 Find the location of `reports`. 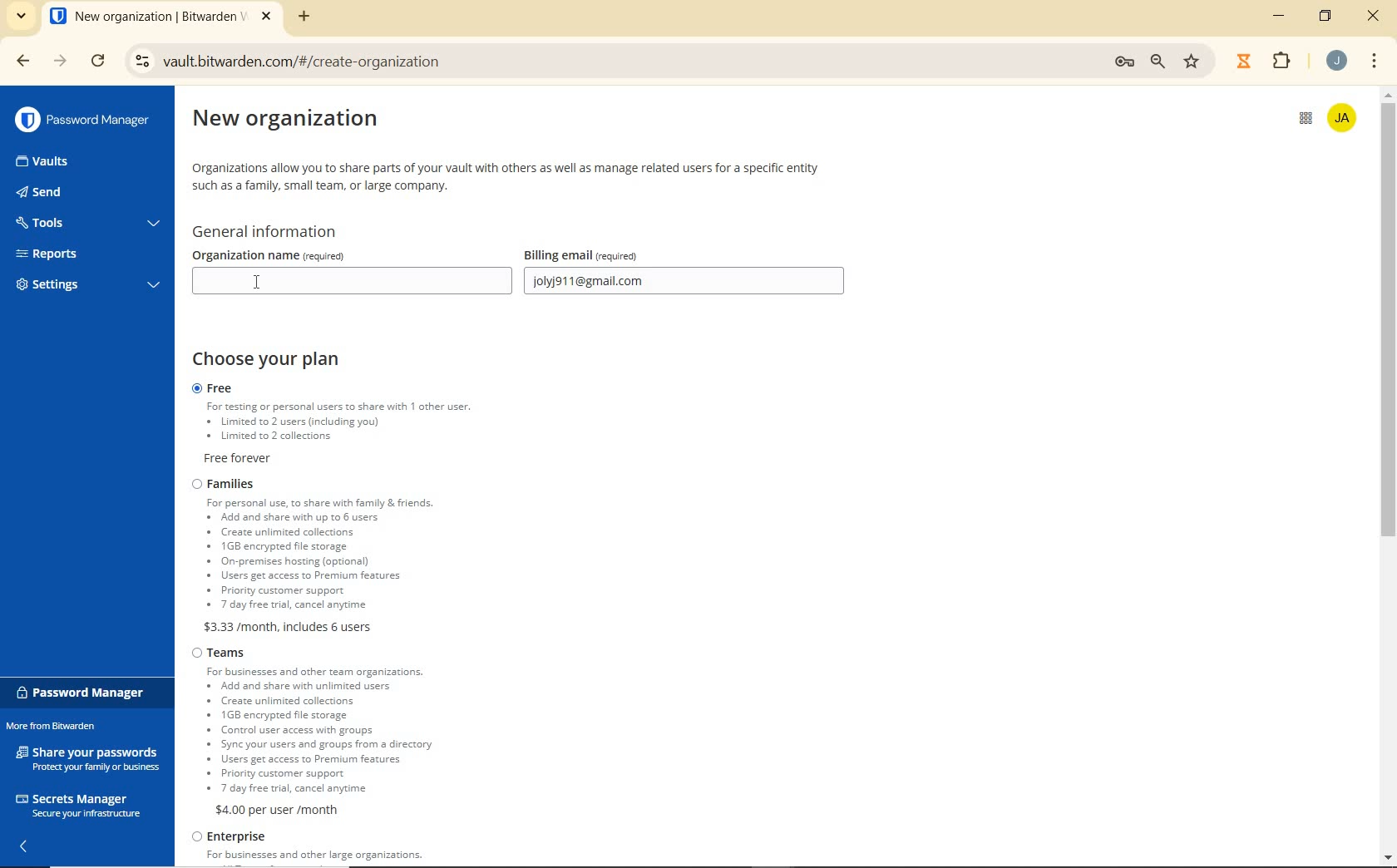

reports is located at coordinates (88, 254).